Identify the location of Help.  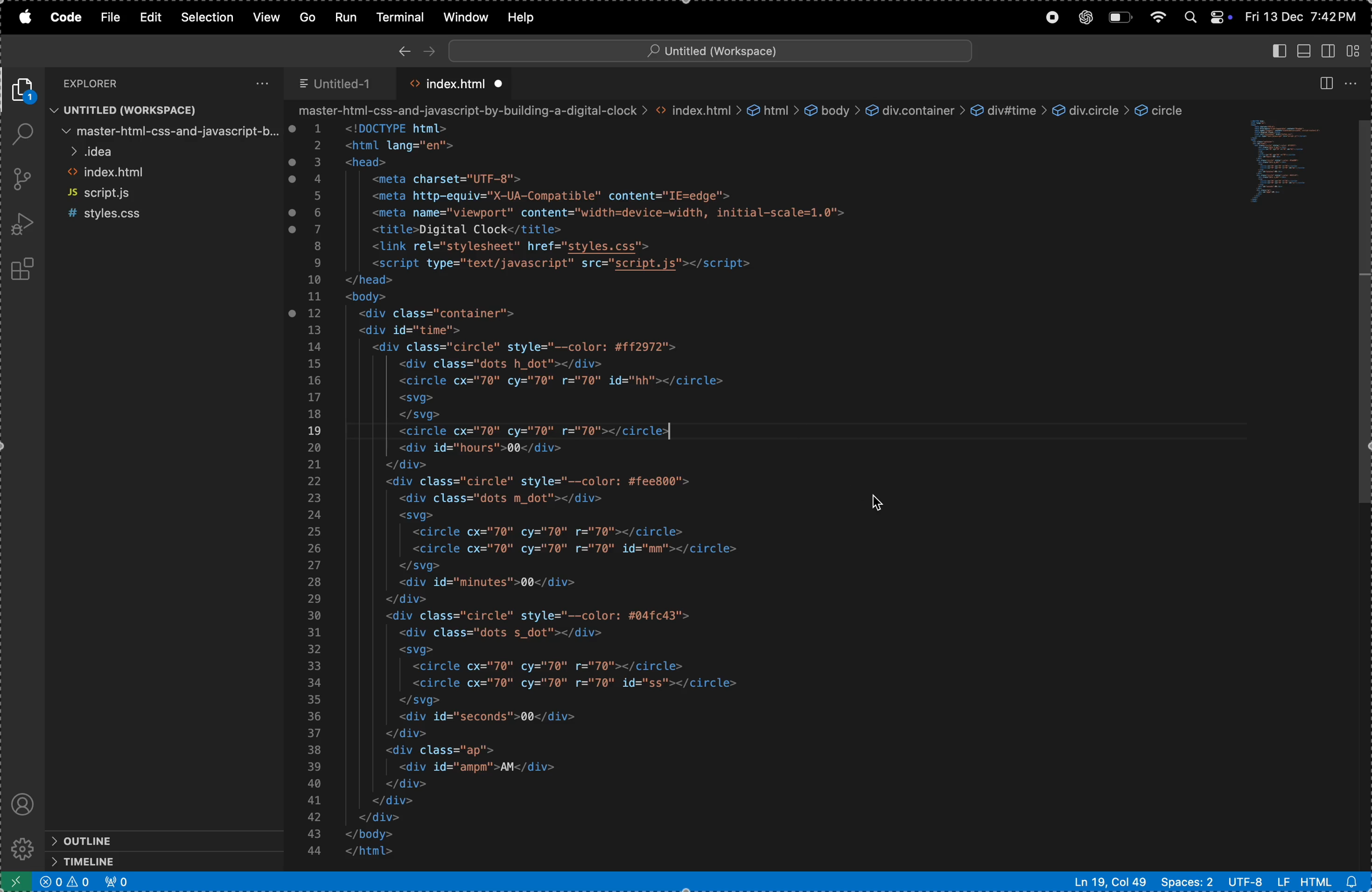
(521, 17).